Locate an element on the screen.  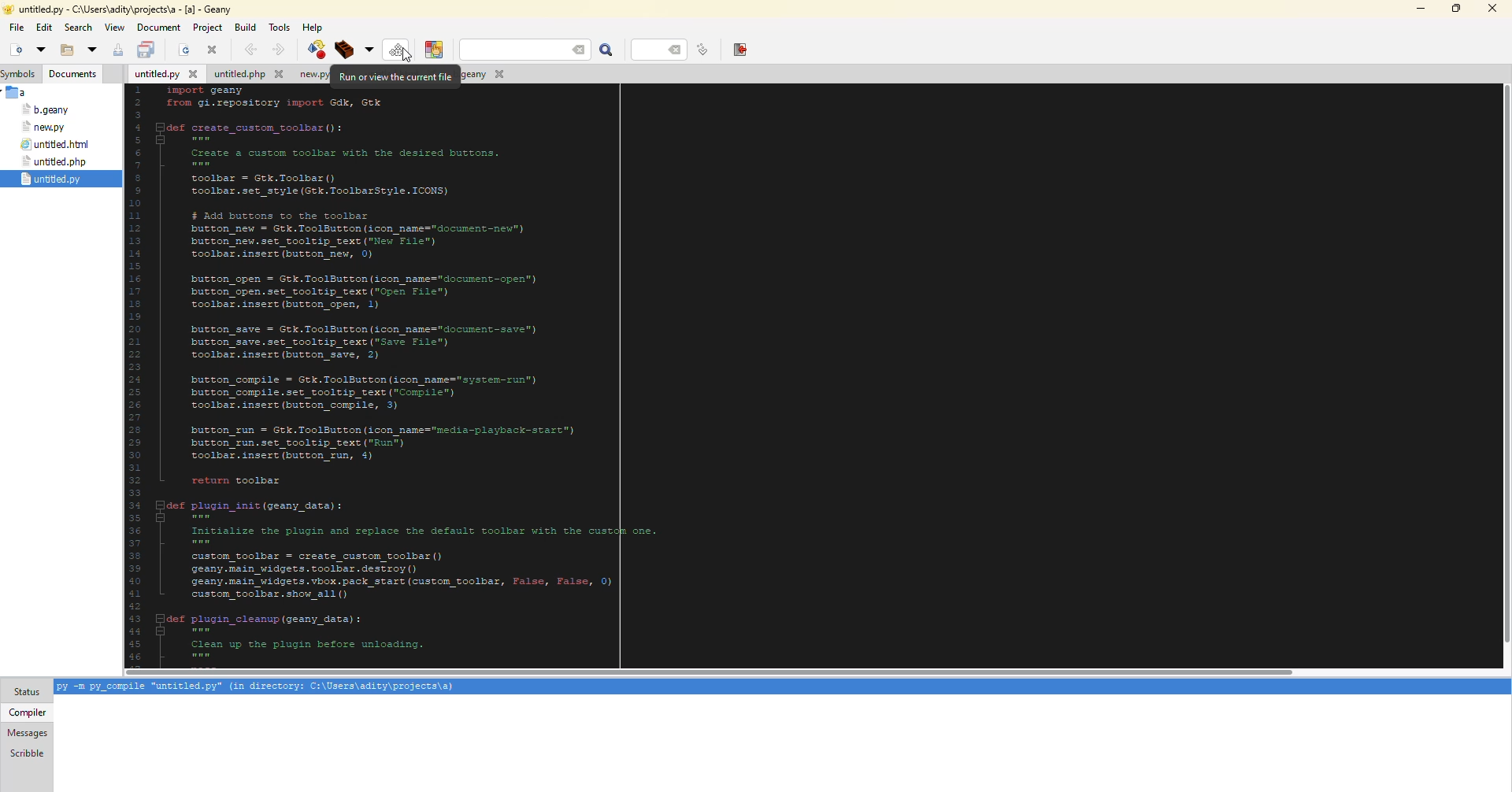
compiler is located at coordinates (29, 712).